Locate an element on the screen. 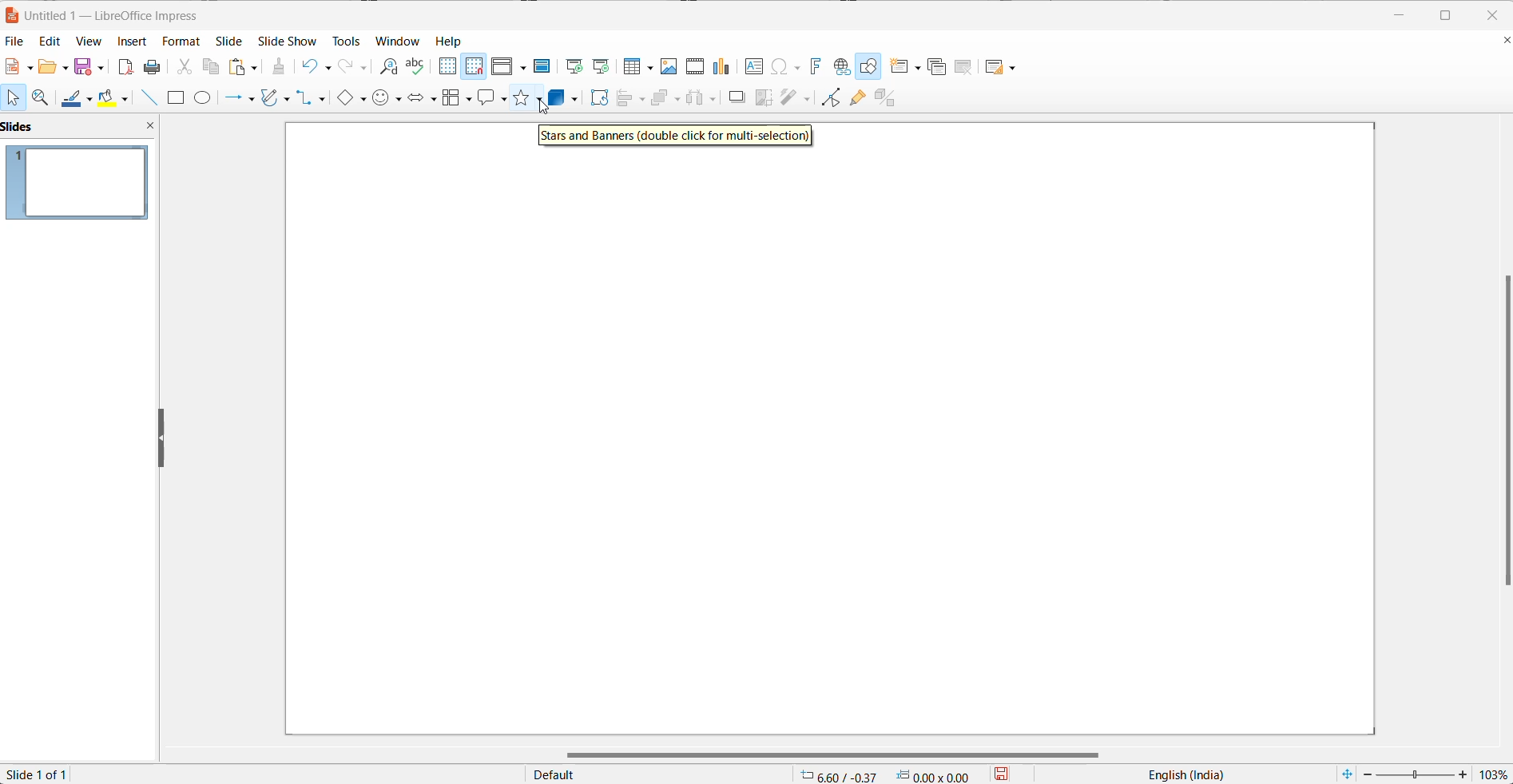 Image resolution: width=1513 pixels, height=784 pixels. English(India) is located at coordinates (1177, 775).